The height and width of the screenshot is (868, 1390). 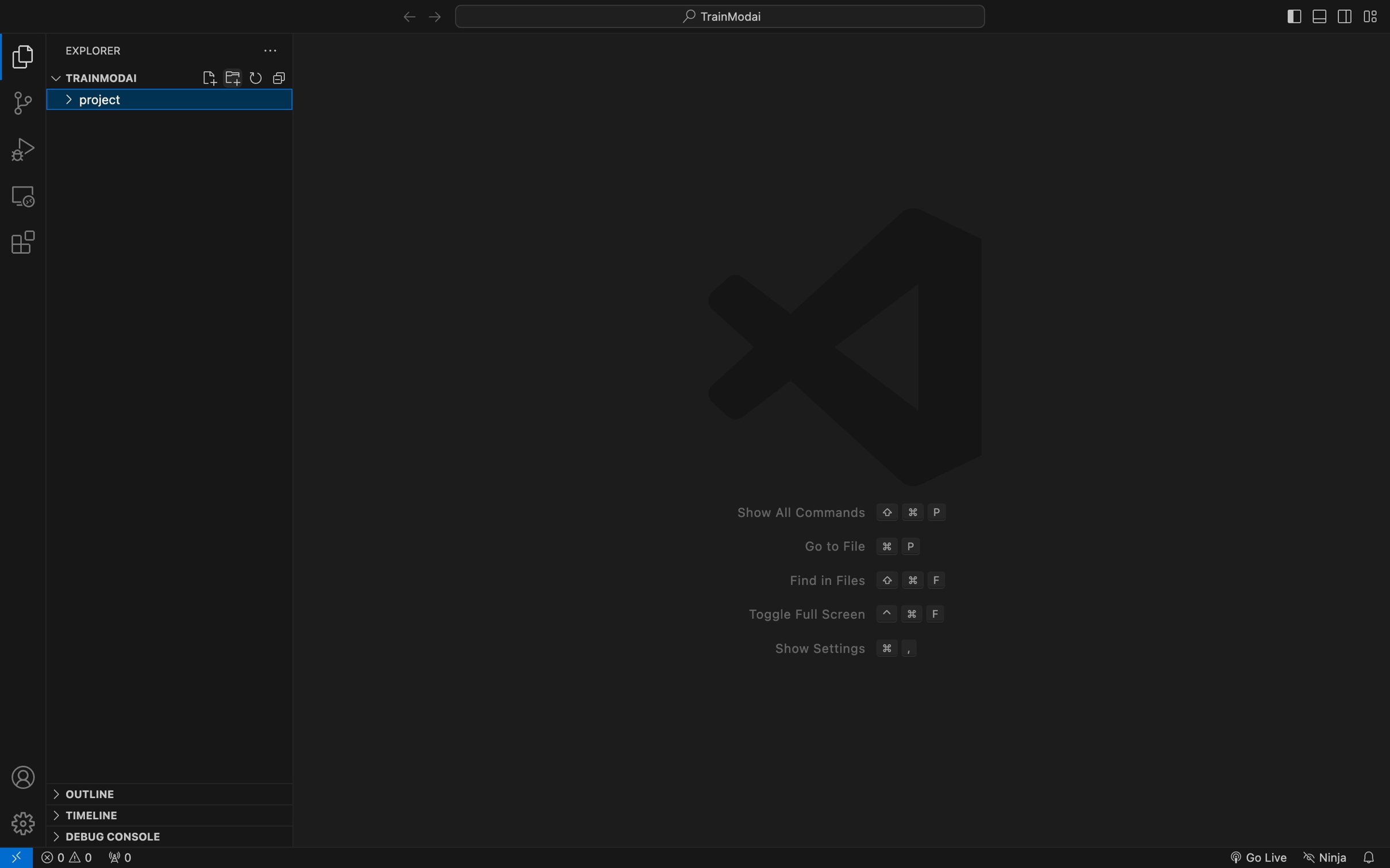 What do you see at coordinates (1256, 855) in the screenshot?
I see `Go live extension` at bounding box center [1256, 855].